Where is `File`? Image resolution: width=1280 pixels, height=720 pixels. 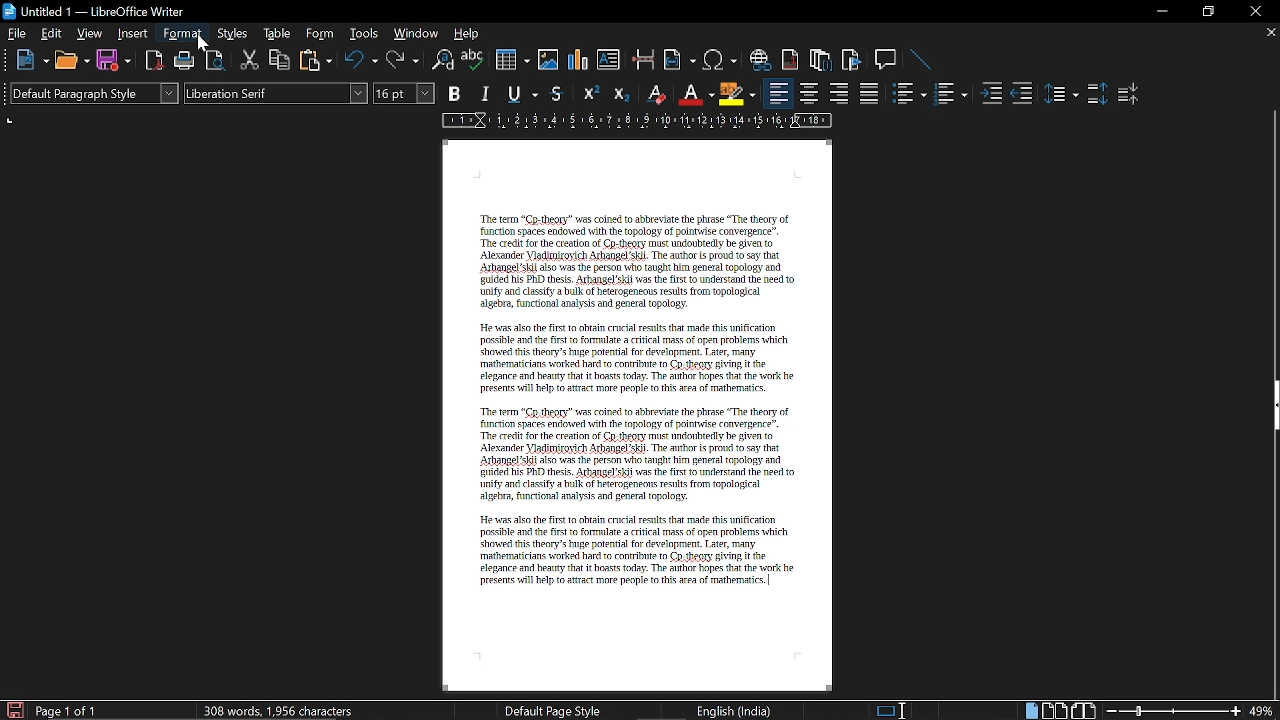 File is located at coordinates (17, 33).